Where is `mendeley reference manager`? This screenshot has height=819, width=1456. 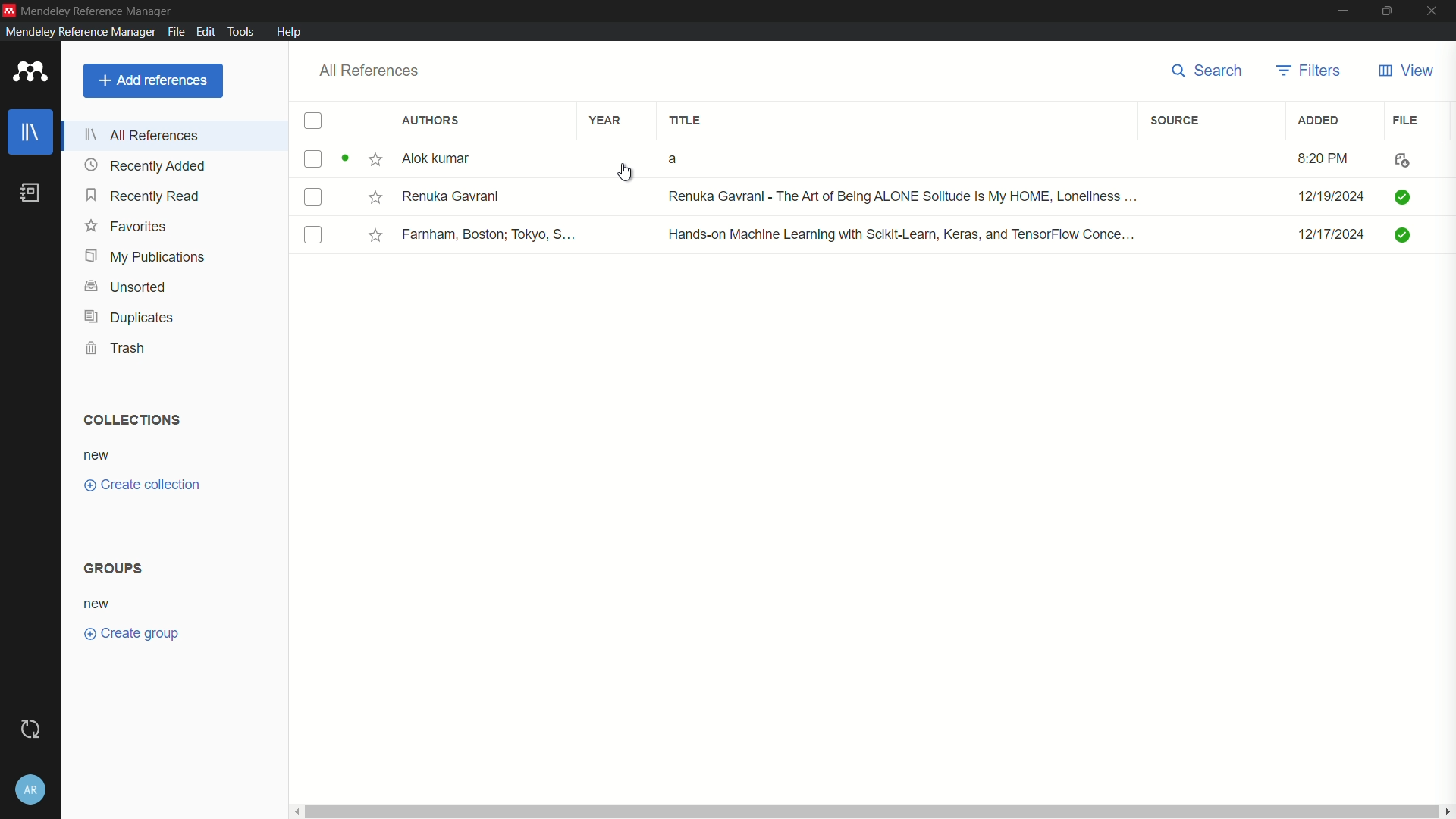 mendeley reference manager is located at coordinates (80, 31).